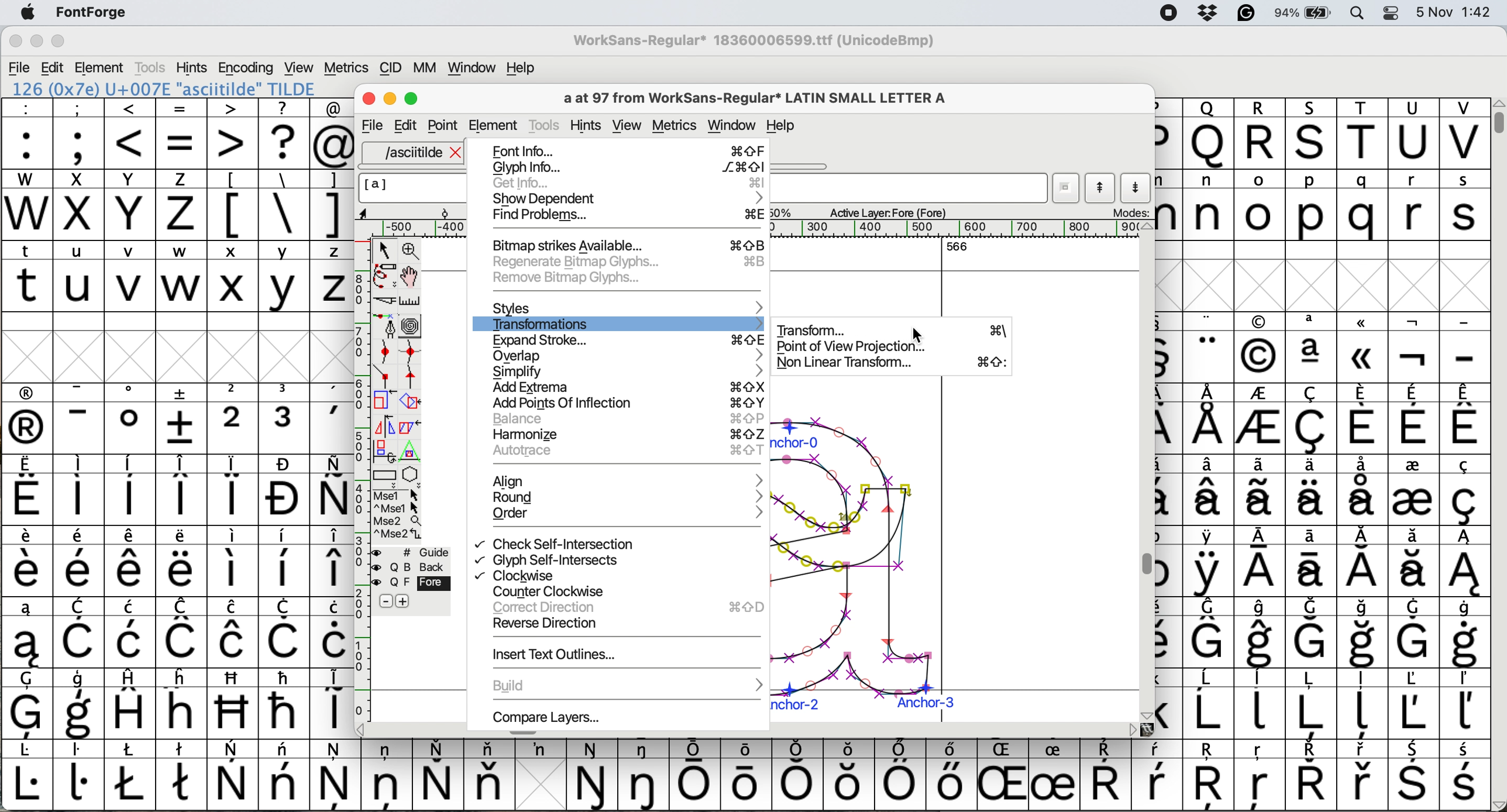 The image size is (1507, 812). What do you see at coordinates (626, 686) in the screenshot?
I see `build` at bounding box center [626, 686].